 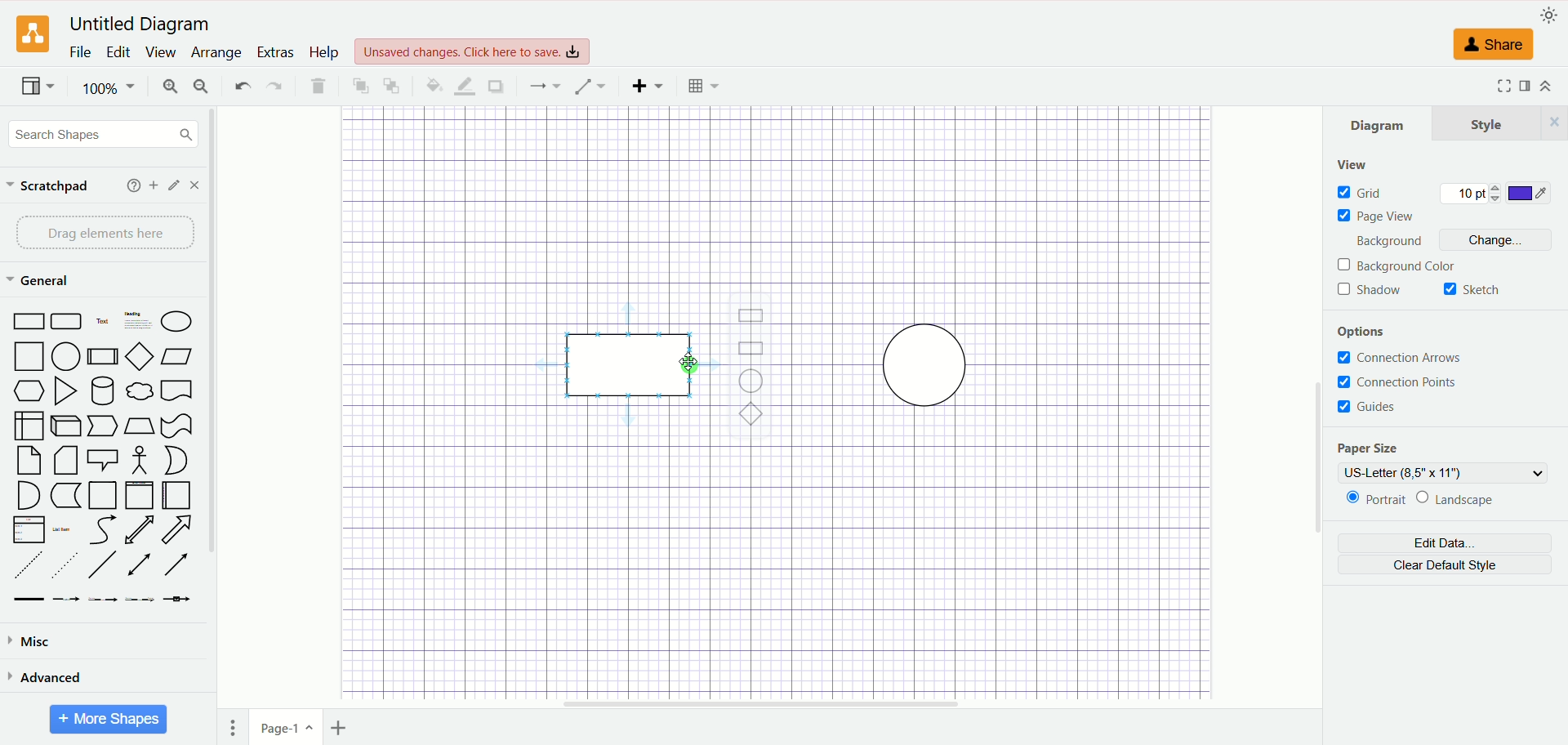 I want to click on Curved Edge Rectangle, so click(x=68, y=321).